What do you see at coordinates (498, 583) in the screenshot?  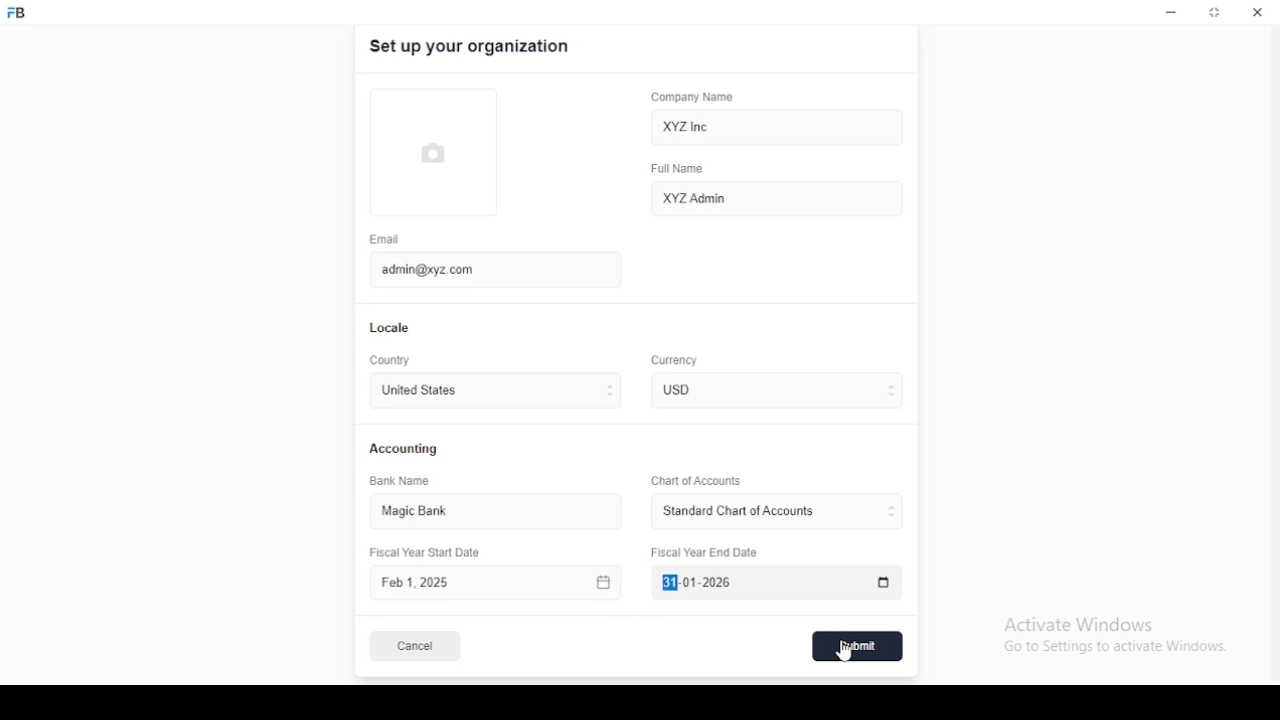 I see `Fiscal Year Start Date` at bounding box center [498, 583].